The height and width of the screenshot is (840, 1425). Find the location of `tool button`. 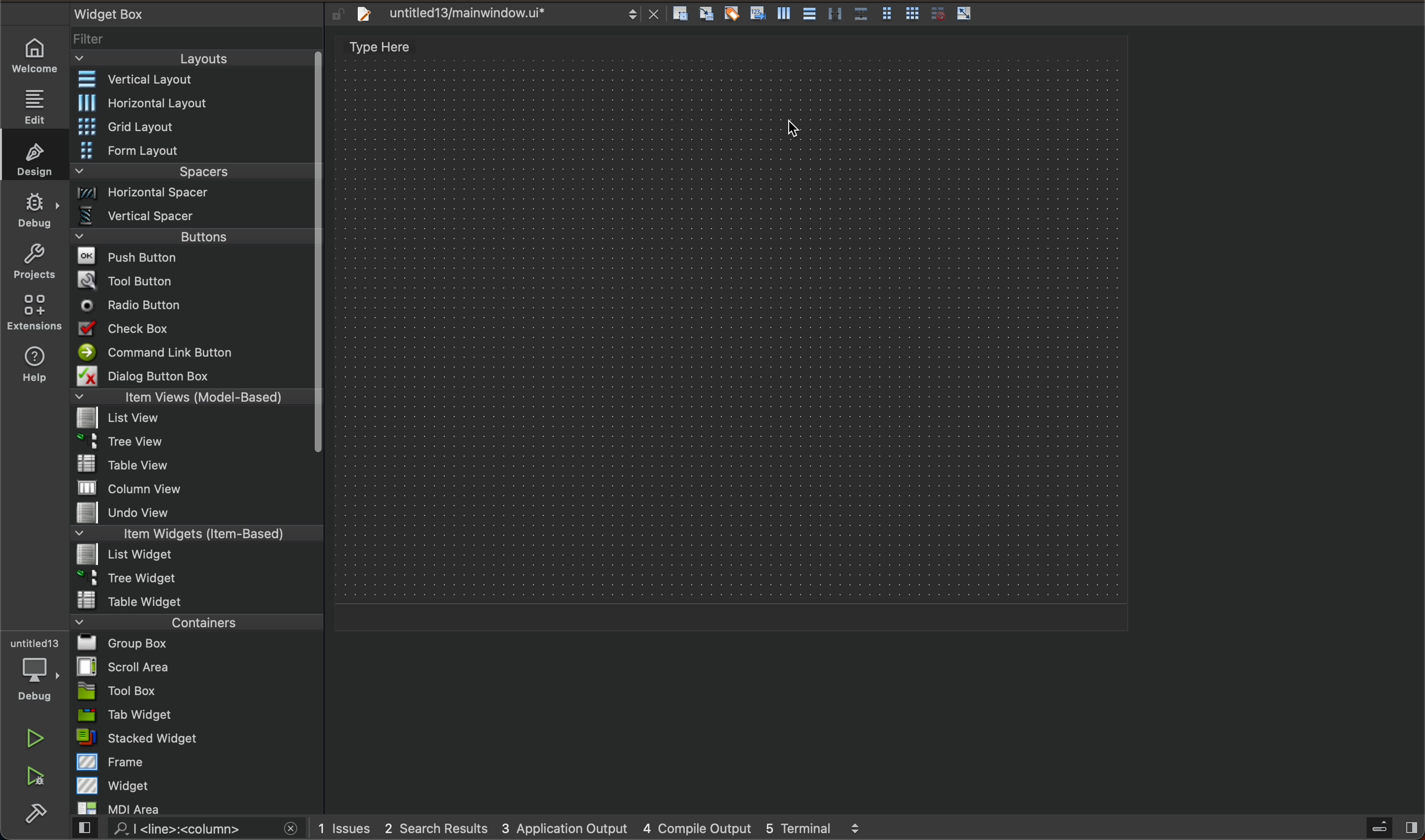

tool button is located at coordinates (193, 278).